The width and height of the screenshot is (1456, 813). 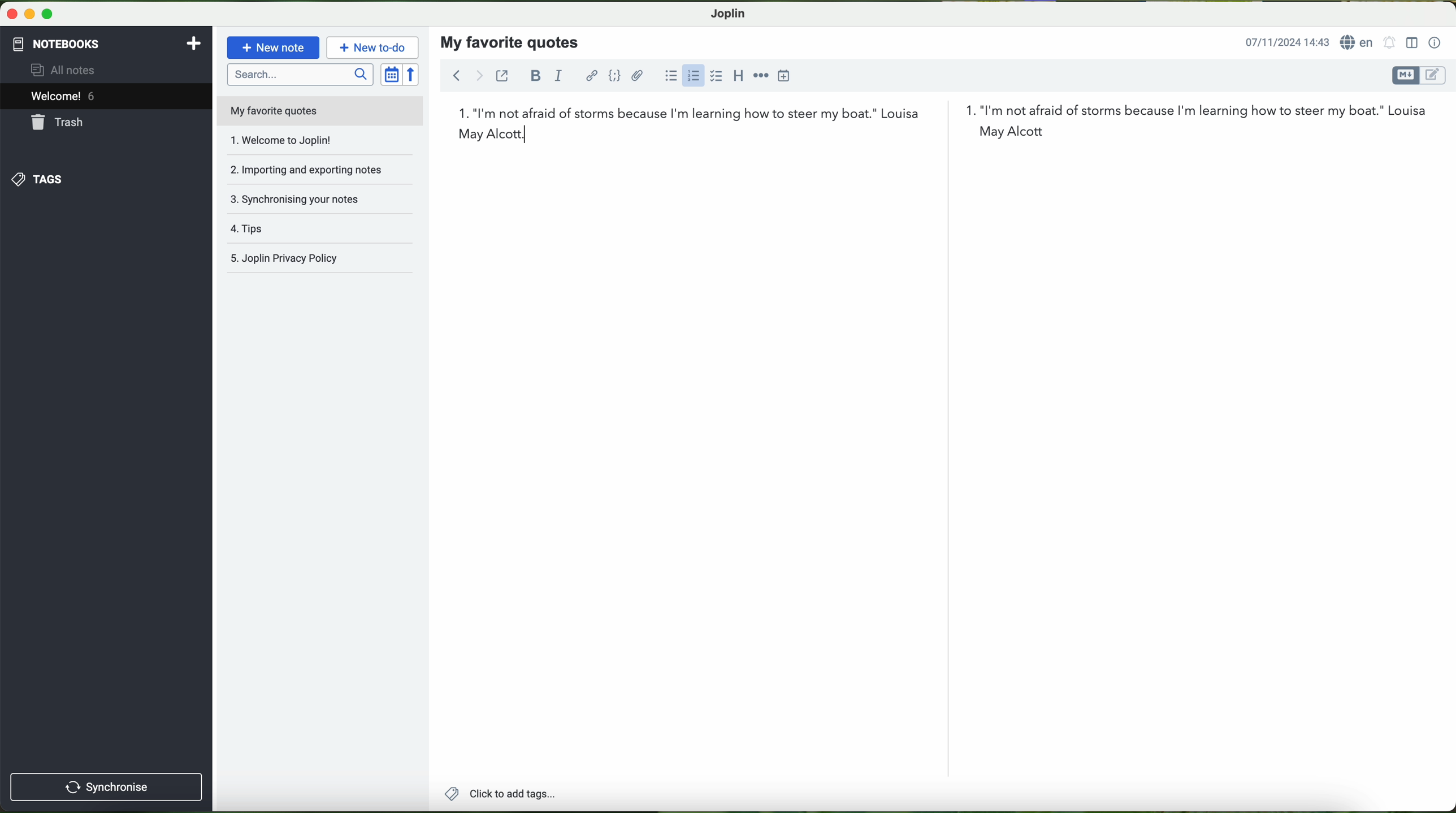 What do you see at coordinates (307, 141) in the screenshot?
I see `welcome to joplin` at bounding box center [307, 141].